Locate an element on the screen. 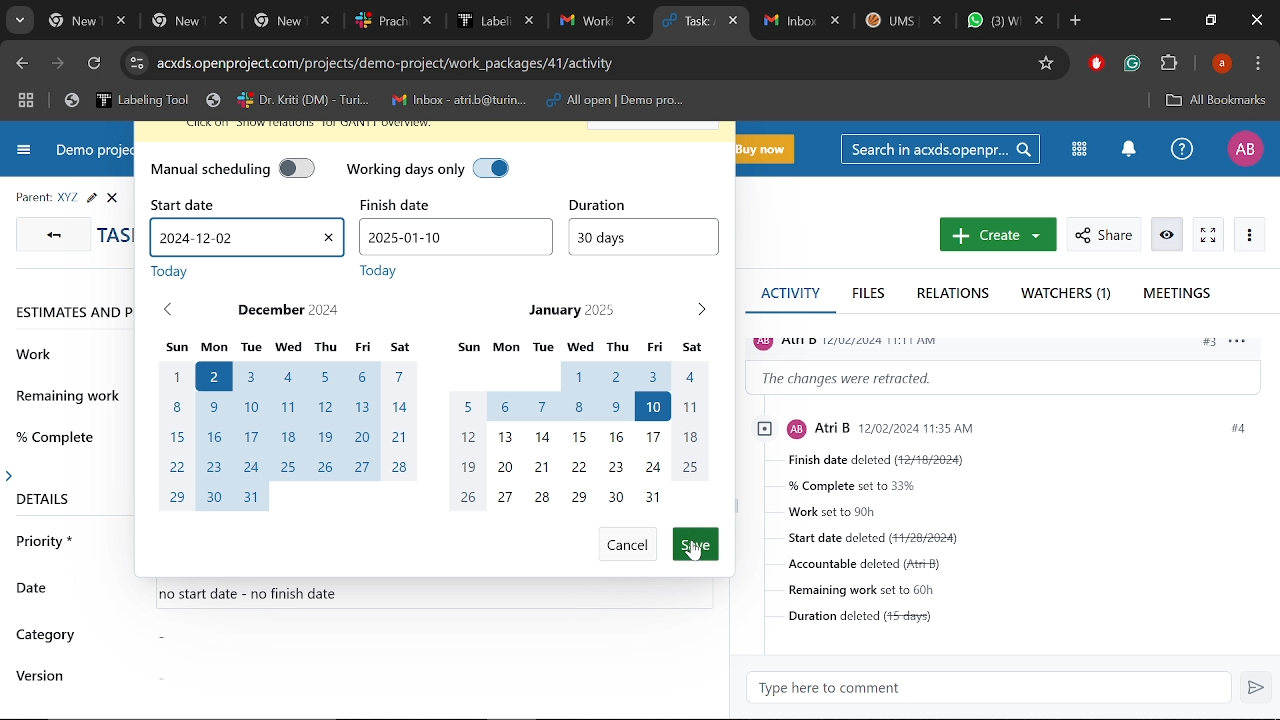  Bookmarked tabs is located at coordinates (378, 101).